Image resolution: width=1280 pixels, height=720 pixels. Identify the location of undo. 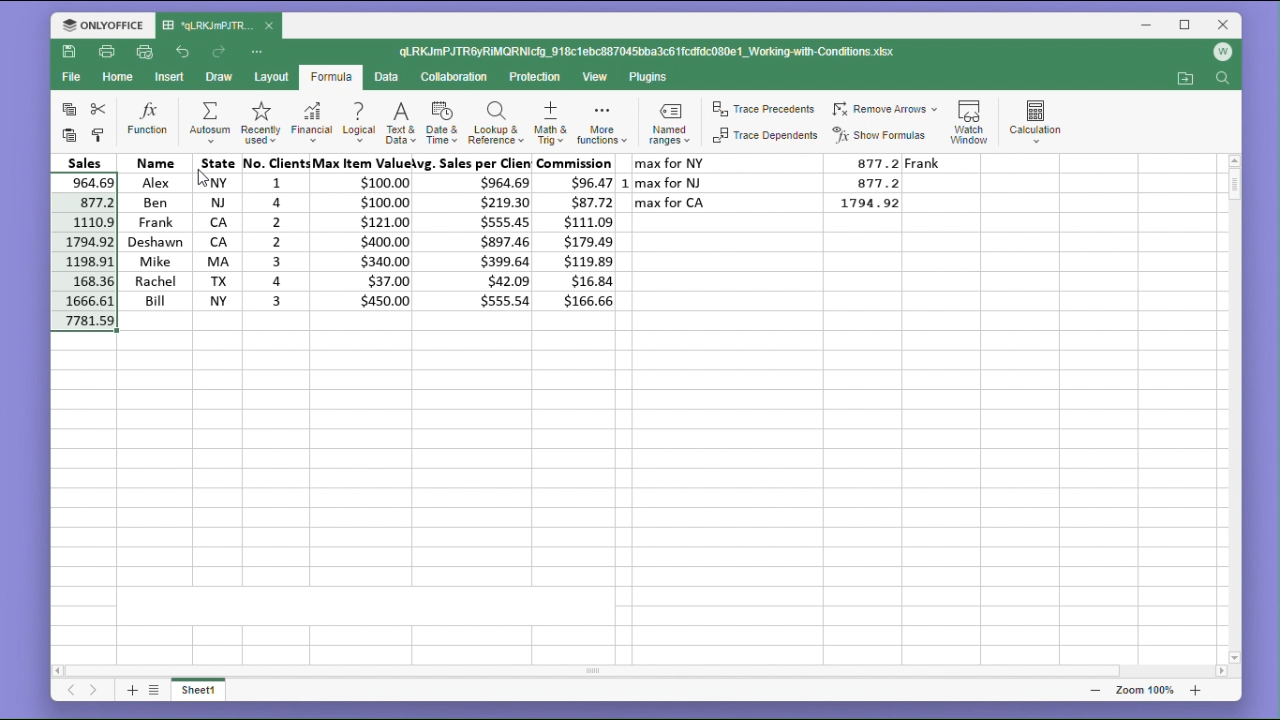
(183, 50).